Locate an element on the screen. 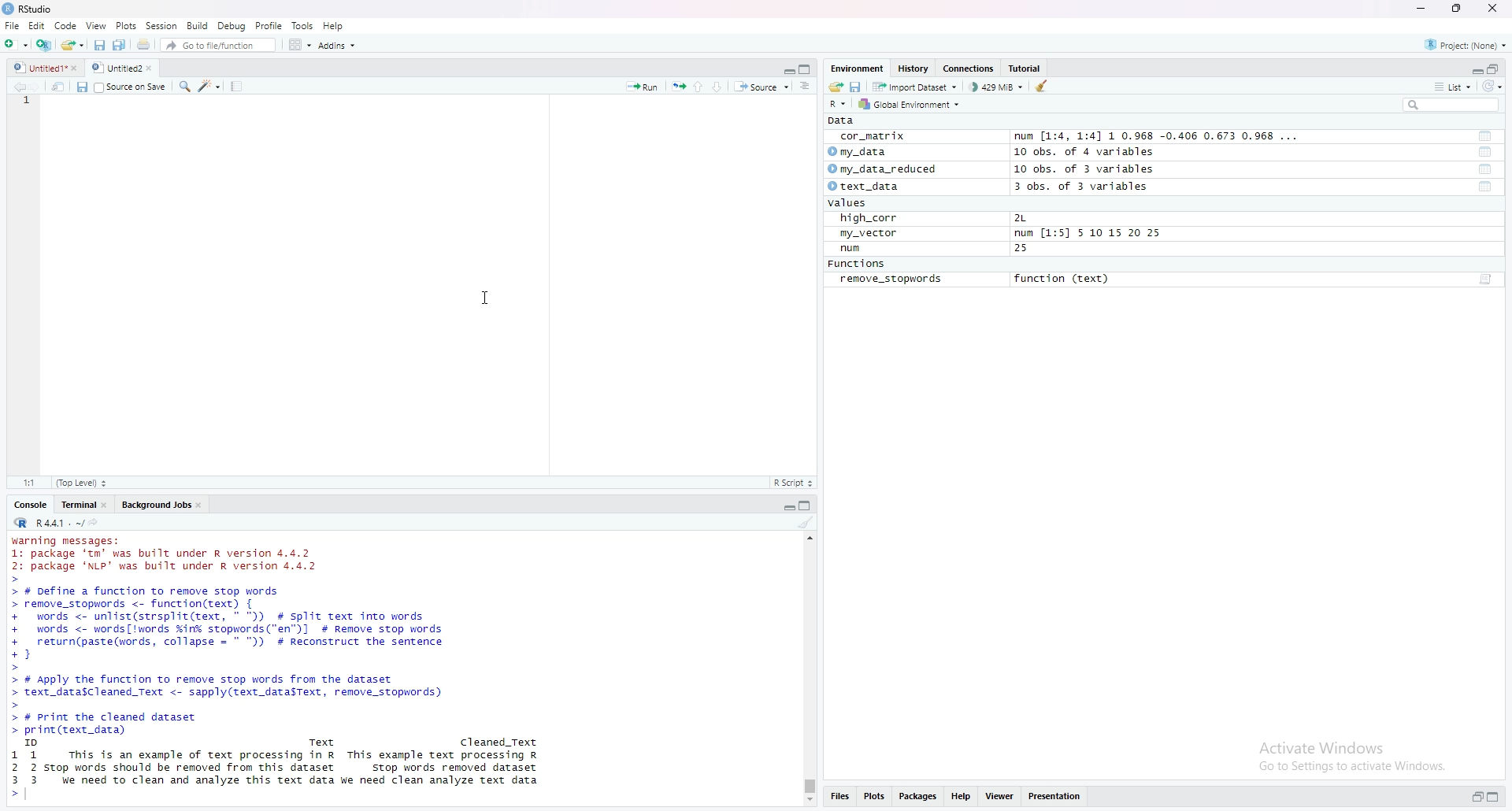 This screenshot has width=1512, height=811. Project: (None) is located at coordinates (1465, 44).